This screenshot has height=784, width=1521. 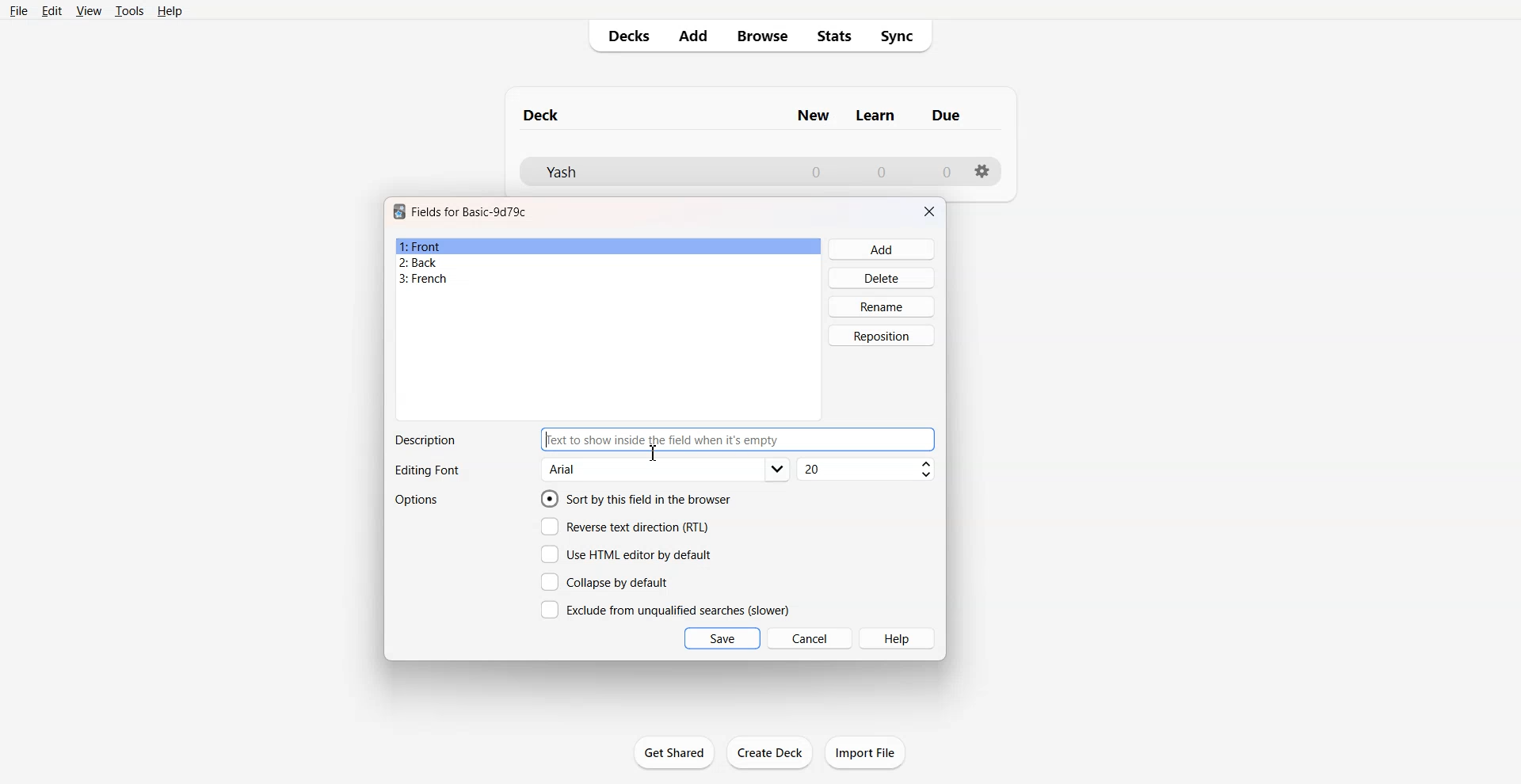 What do you see at coordinates (636, 498) in the screenshot?
I see `Sort by this field in the browser` at bounding box center [636, 498].